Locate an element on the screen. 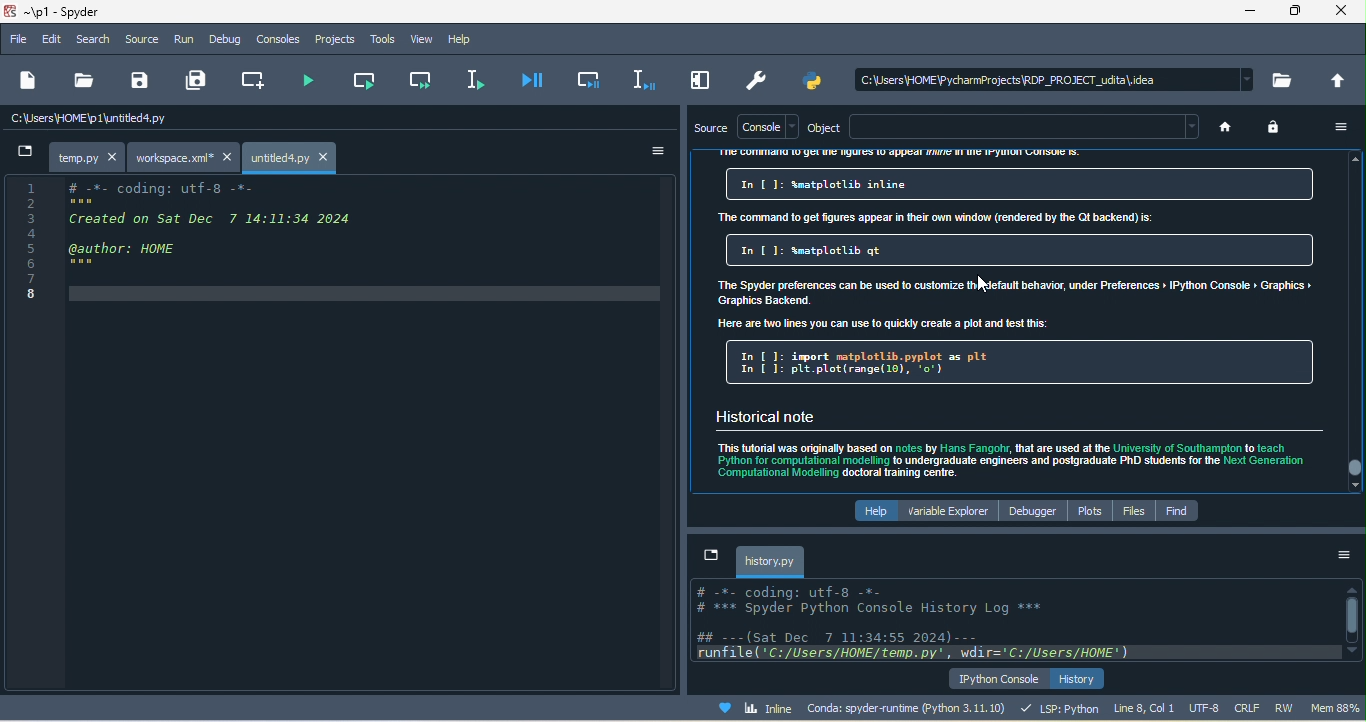 The width and height of the screenshot is (1366, 722). maximize is located at coordinates (1299, 11).